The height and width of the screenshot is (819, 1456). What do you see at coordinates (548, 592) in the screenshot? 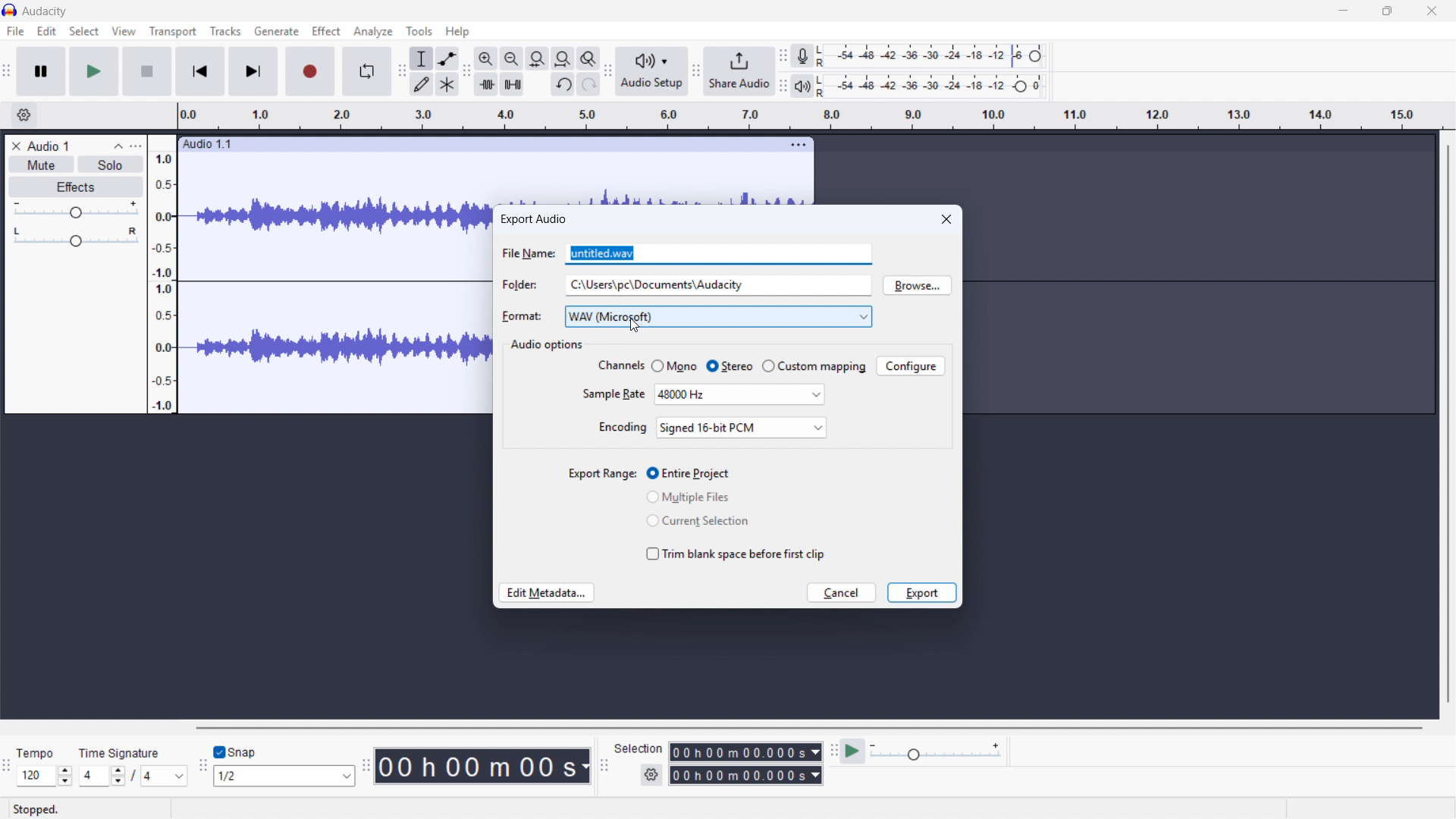
I see `Edit metadata ` at bounding box center [548, 592].